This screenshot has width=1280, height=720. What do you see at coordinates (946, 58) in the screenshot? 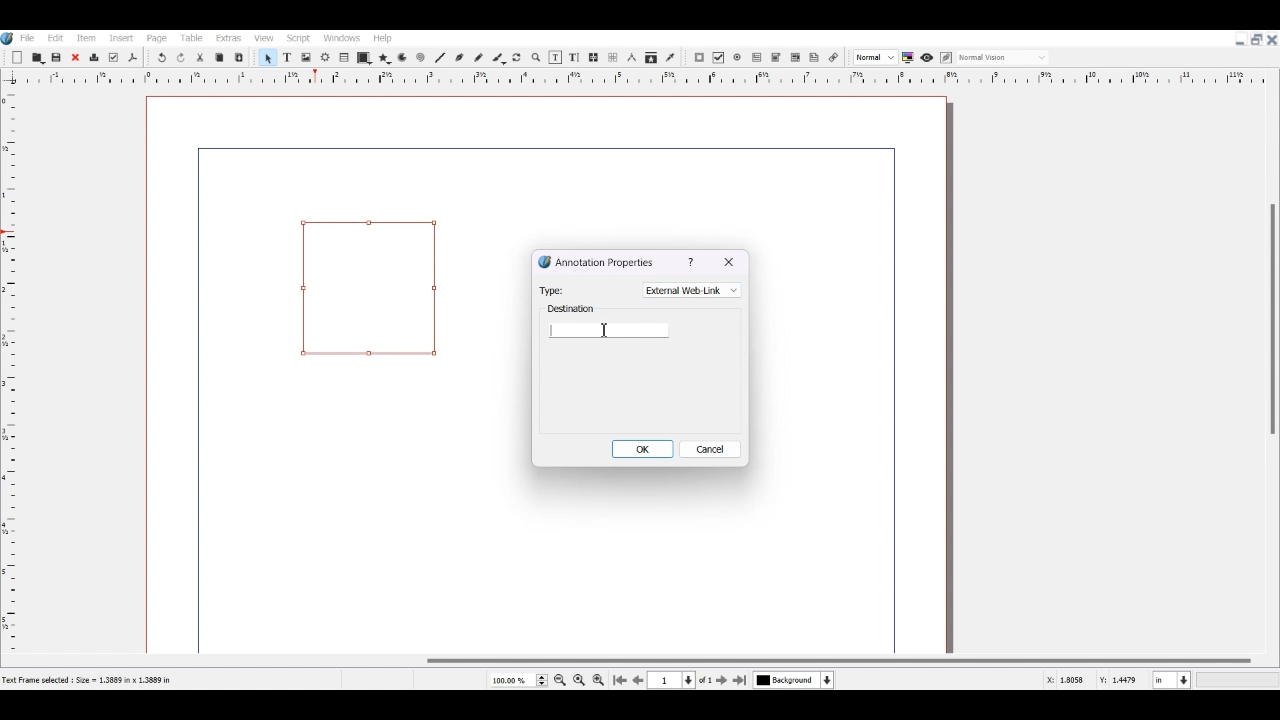
I see `Edit in preview mode` at bounding box center [946, 58].